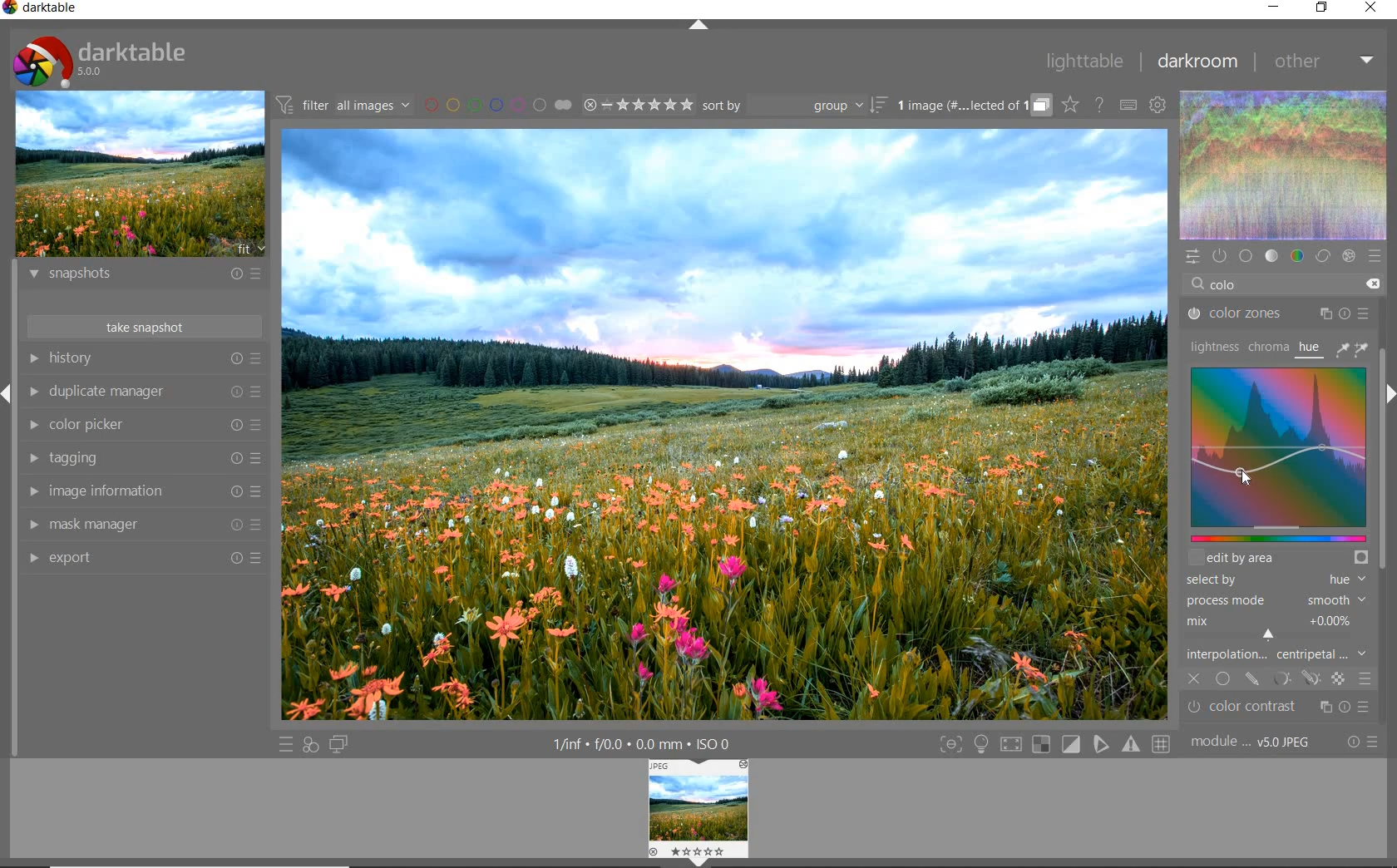 The width and height of the screenshot is (1397, 868). Describe the element at coordinates (142, 459) in the screenshot. I see `tagging` at that location.